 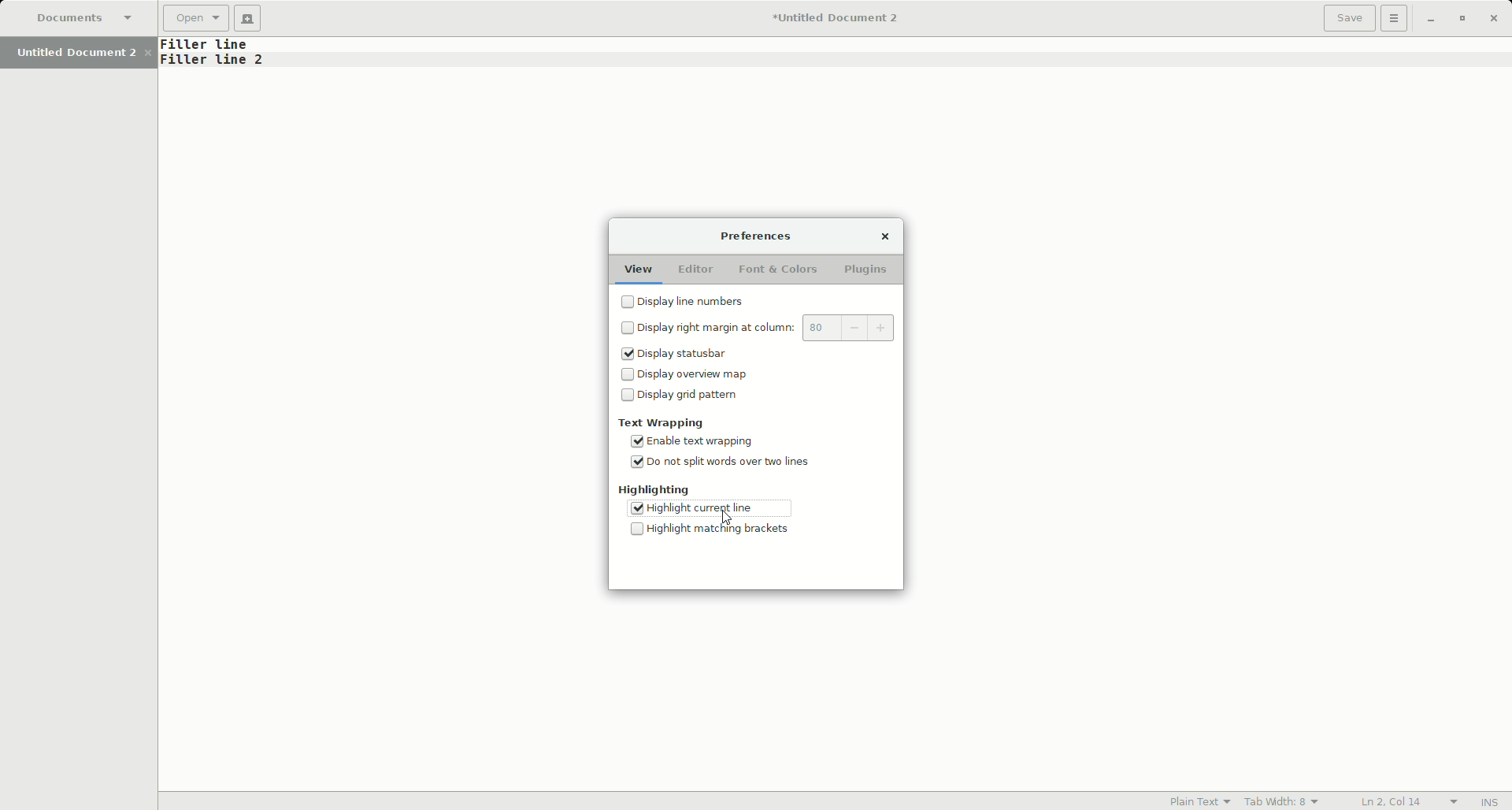 I want to click on Font and Colors, so click(x=776, y=269).